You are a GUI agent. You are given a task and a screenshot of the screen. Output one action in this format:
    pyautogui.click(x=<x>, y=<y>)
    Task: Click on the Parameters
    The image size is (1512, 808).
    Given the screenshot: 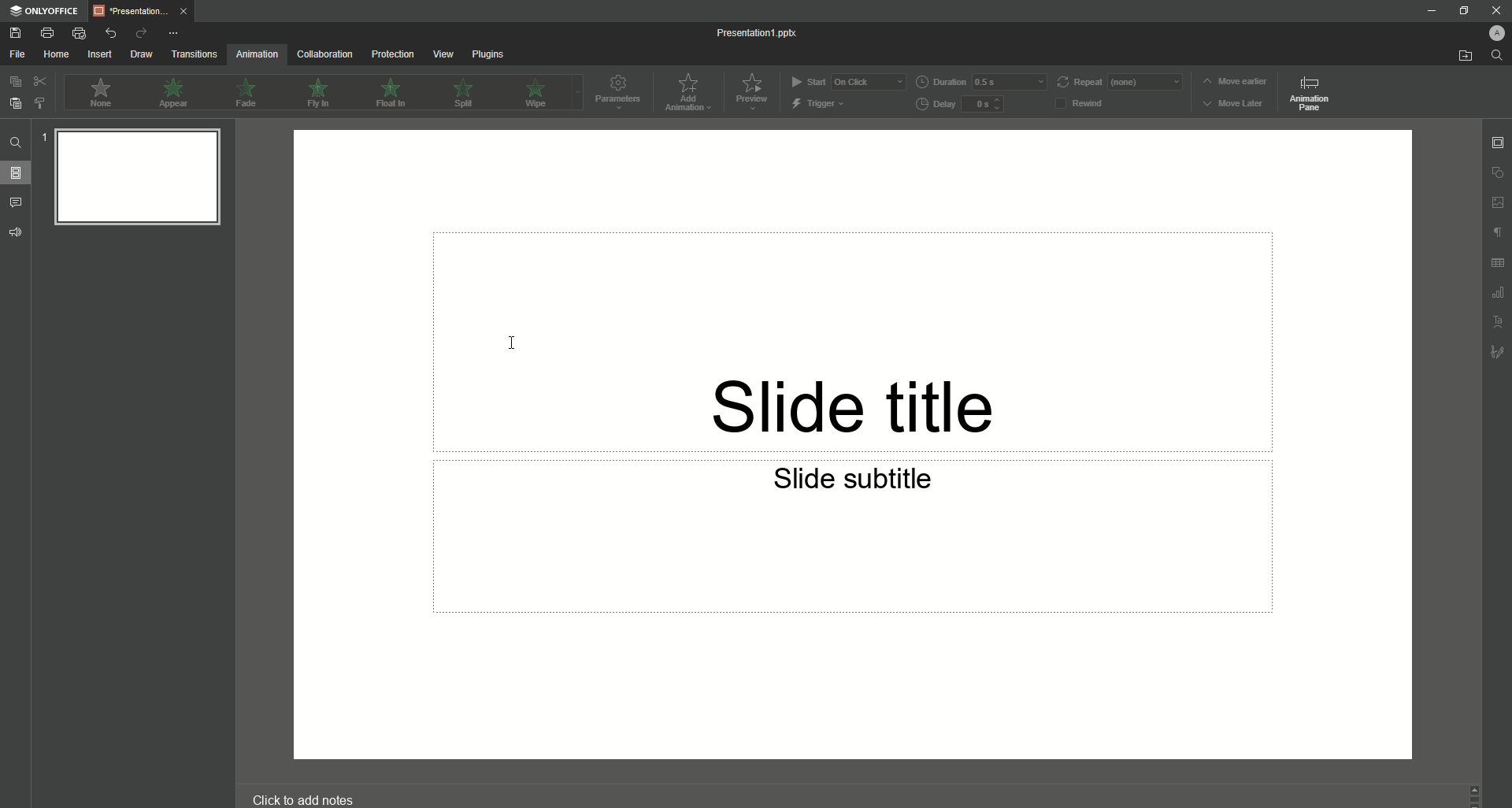 What is the action you would take?
    pyautogui.click(x=621, y=93)
    